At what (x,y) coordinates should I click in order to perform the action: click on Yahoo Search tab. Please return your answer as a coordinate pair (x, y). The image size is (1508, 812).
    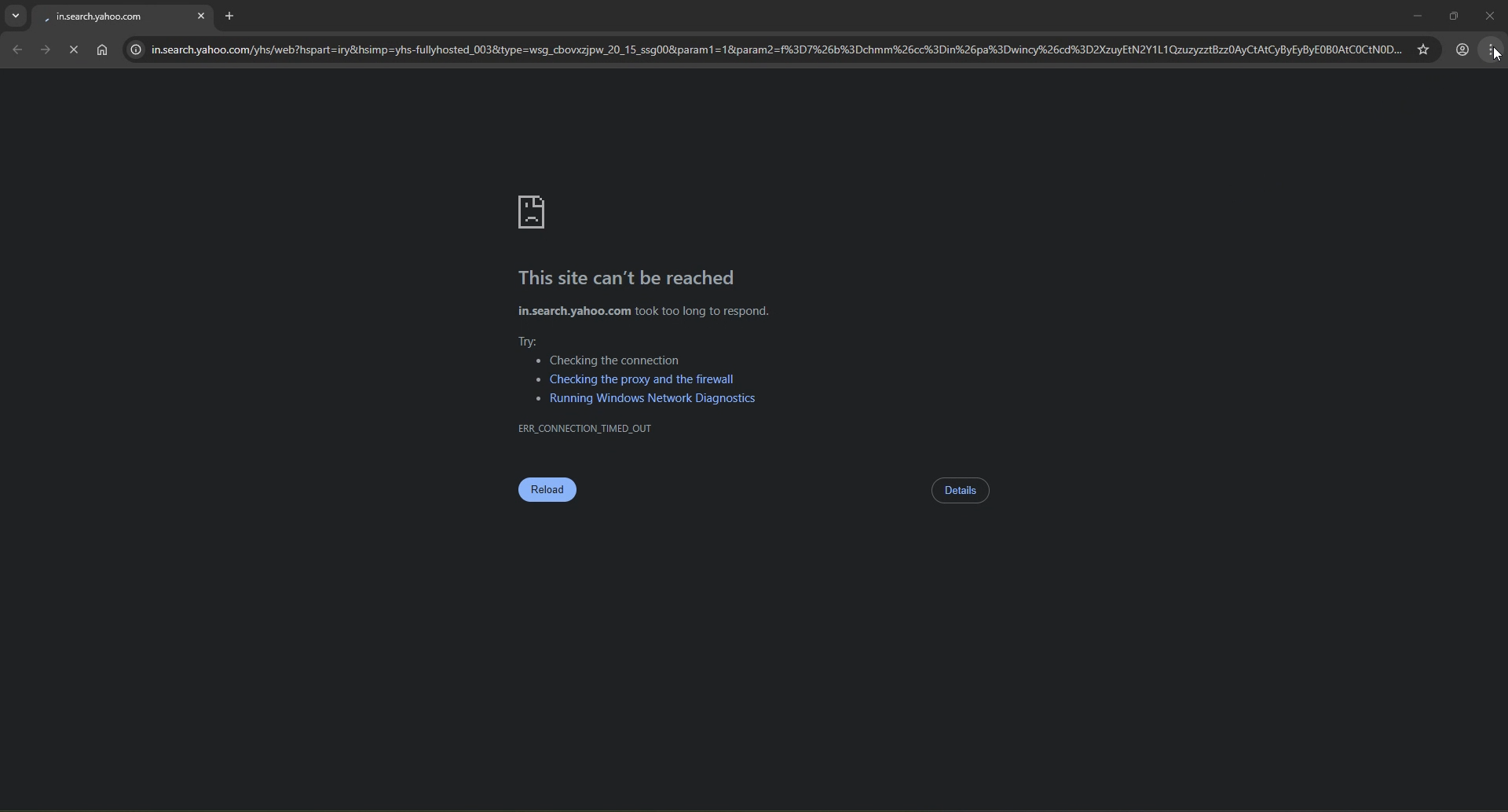
    Looking at the image, I should click on (108, 16).